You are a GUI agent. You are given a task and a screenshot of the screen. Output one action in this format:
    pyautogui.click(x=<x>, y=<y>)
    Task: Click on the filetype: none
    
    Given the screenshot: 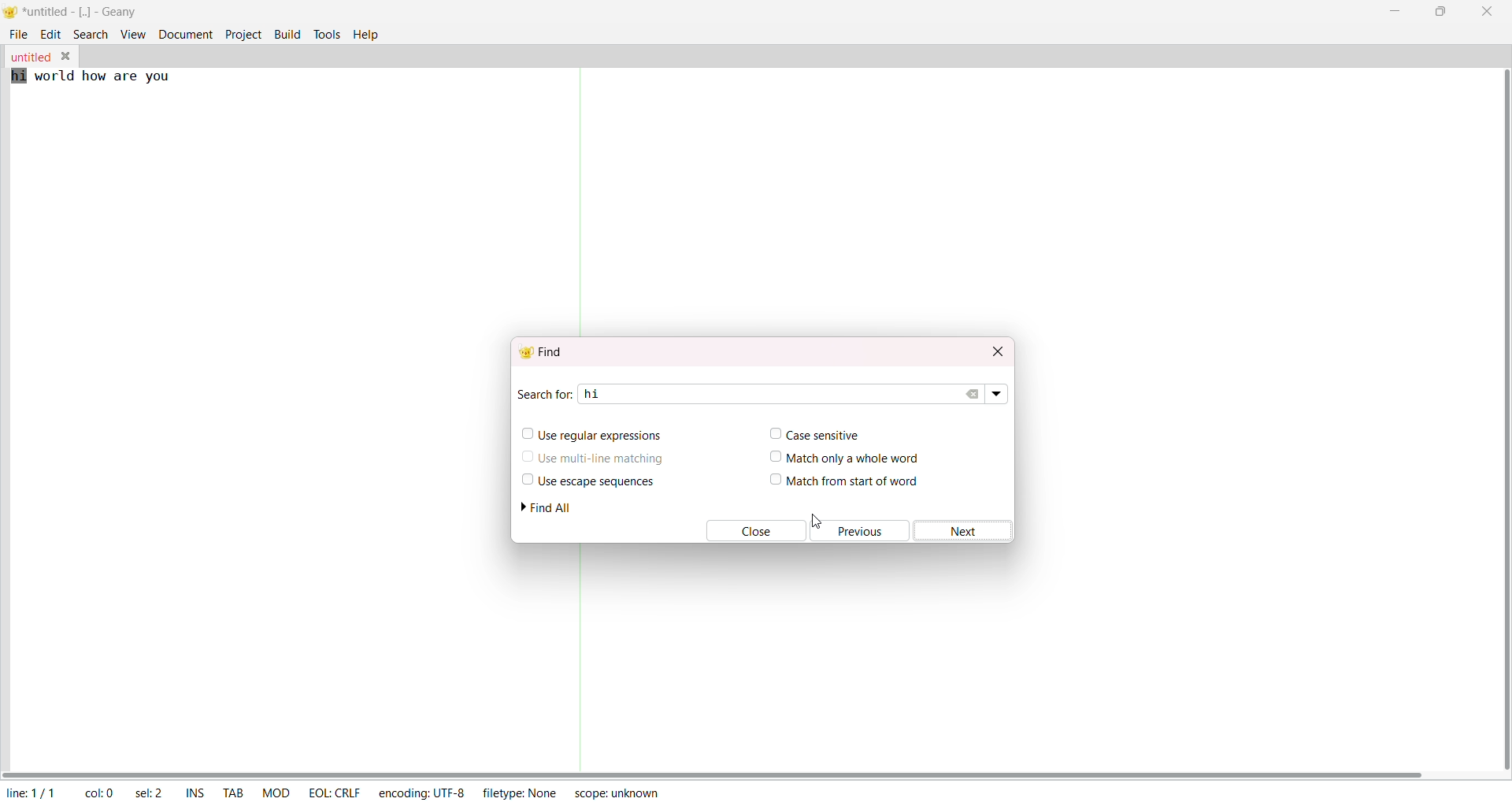 What is the action you would take?
    pyautogui.click(x=519, y=793)
    